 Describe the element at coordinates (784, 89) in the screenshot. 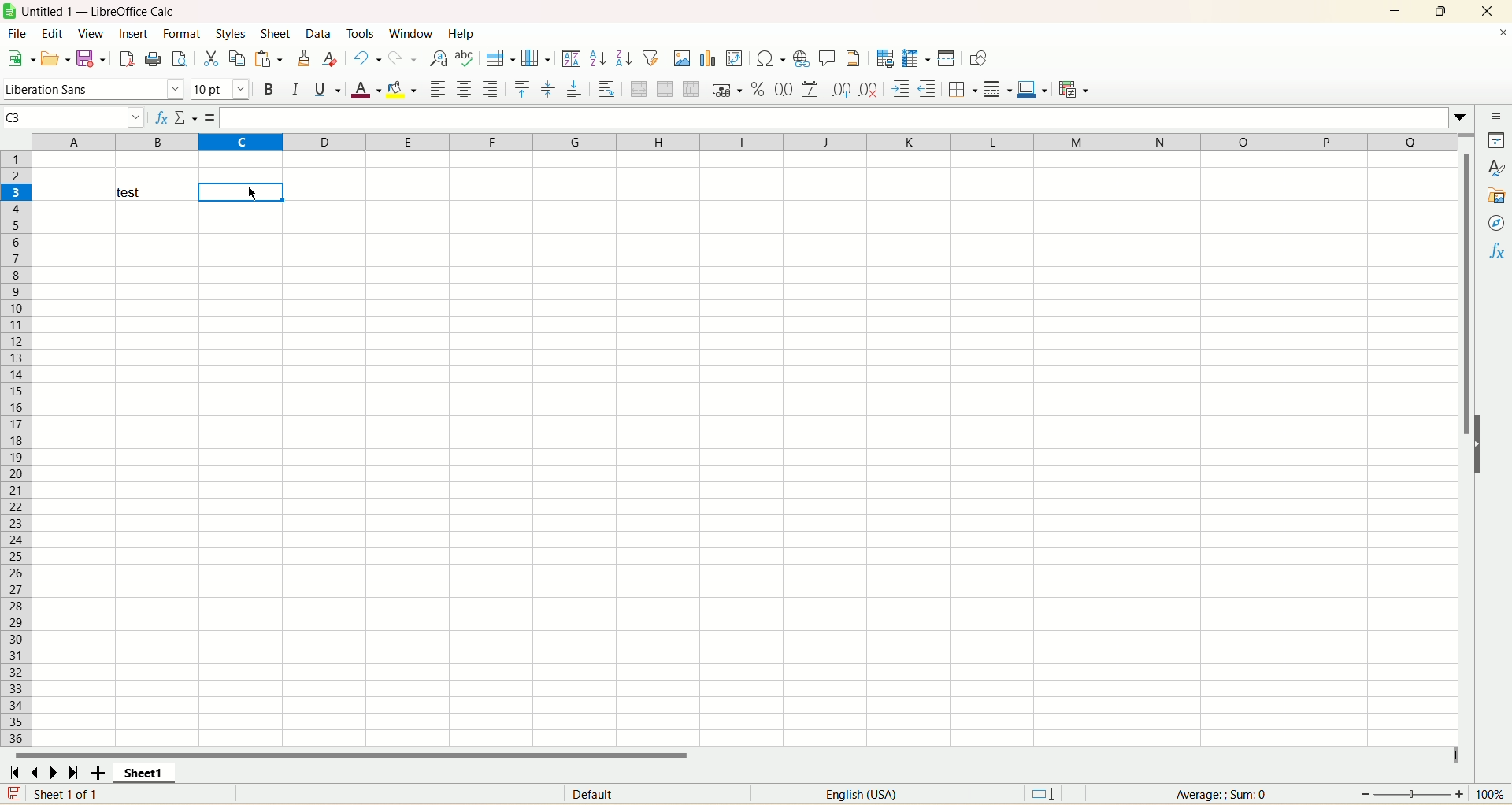

I see `format as number` at that location.